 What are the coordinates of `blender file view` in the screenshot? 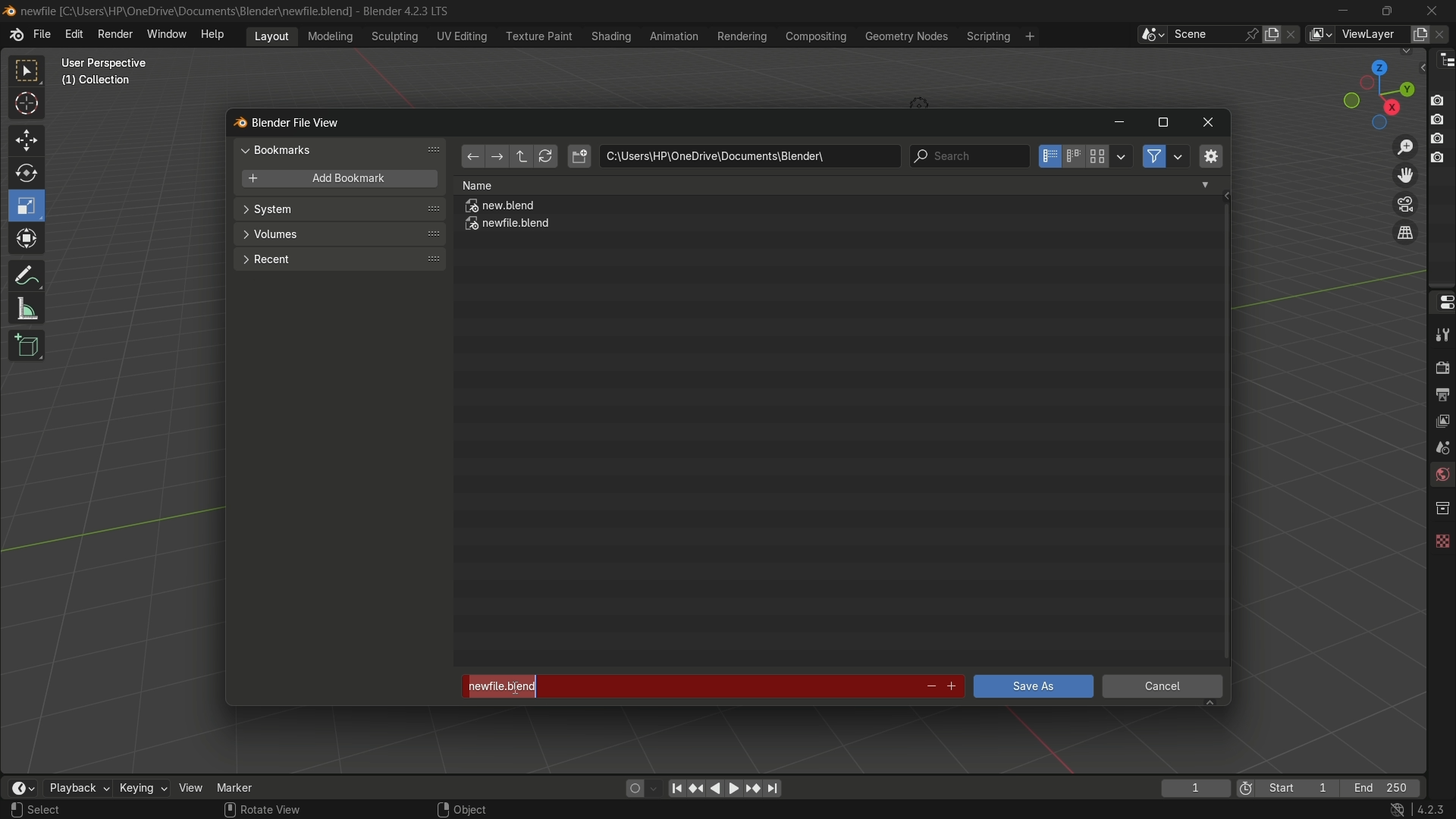 It's located at (298, 121).